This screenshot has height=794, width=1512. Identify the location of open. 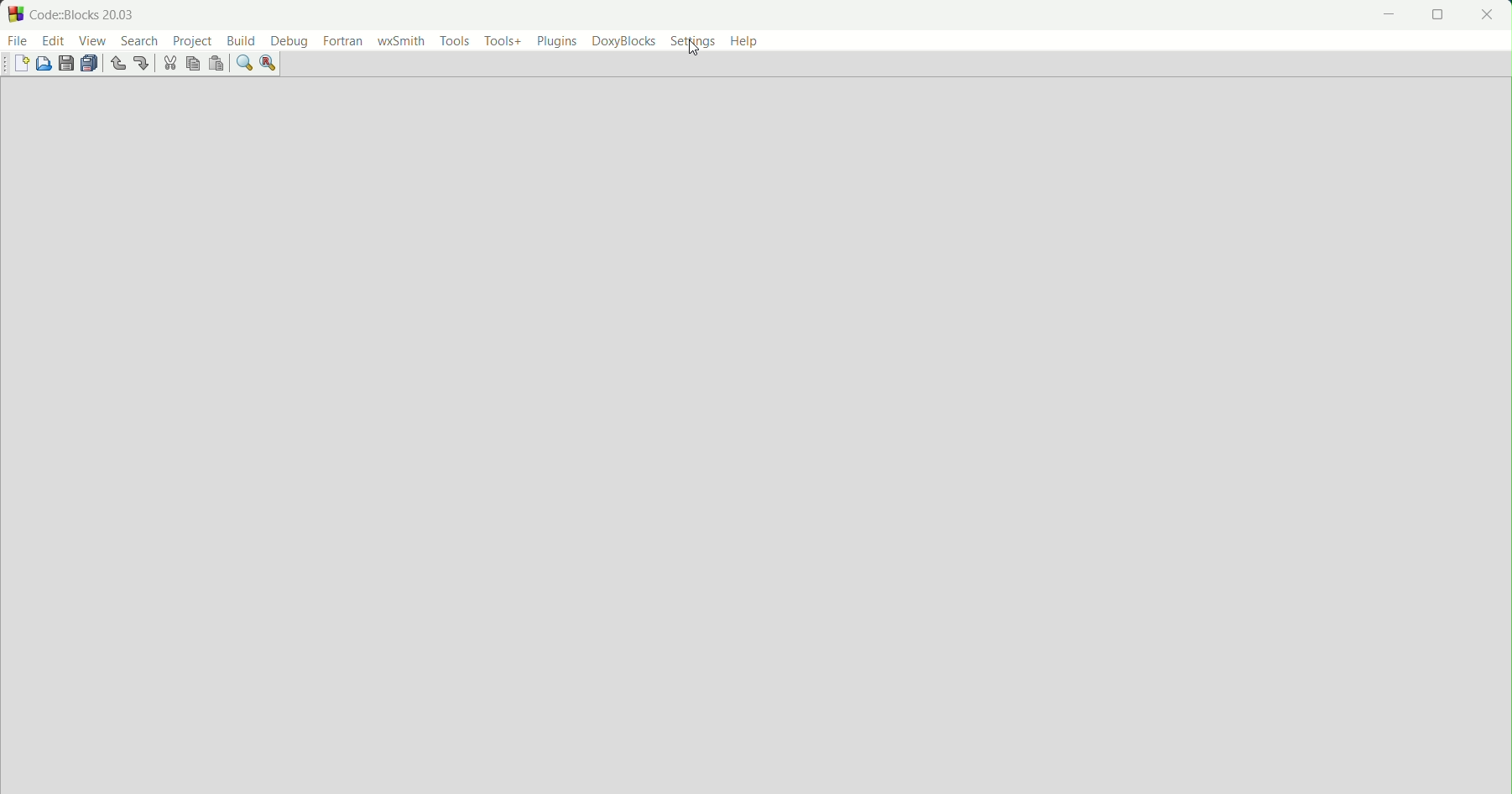
(45, 64).